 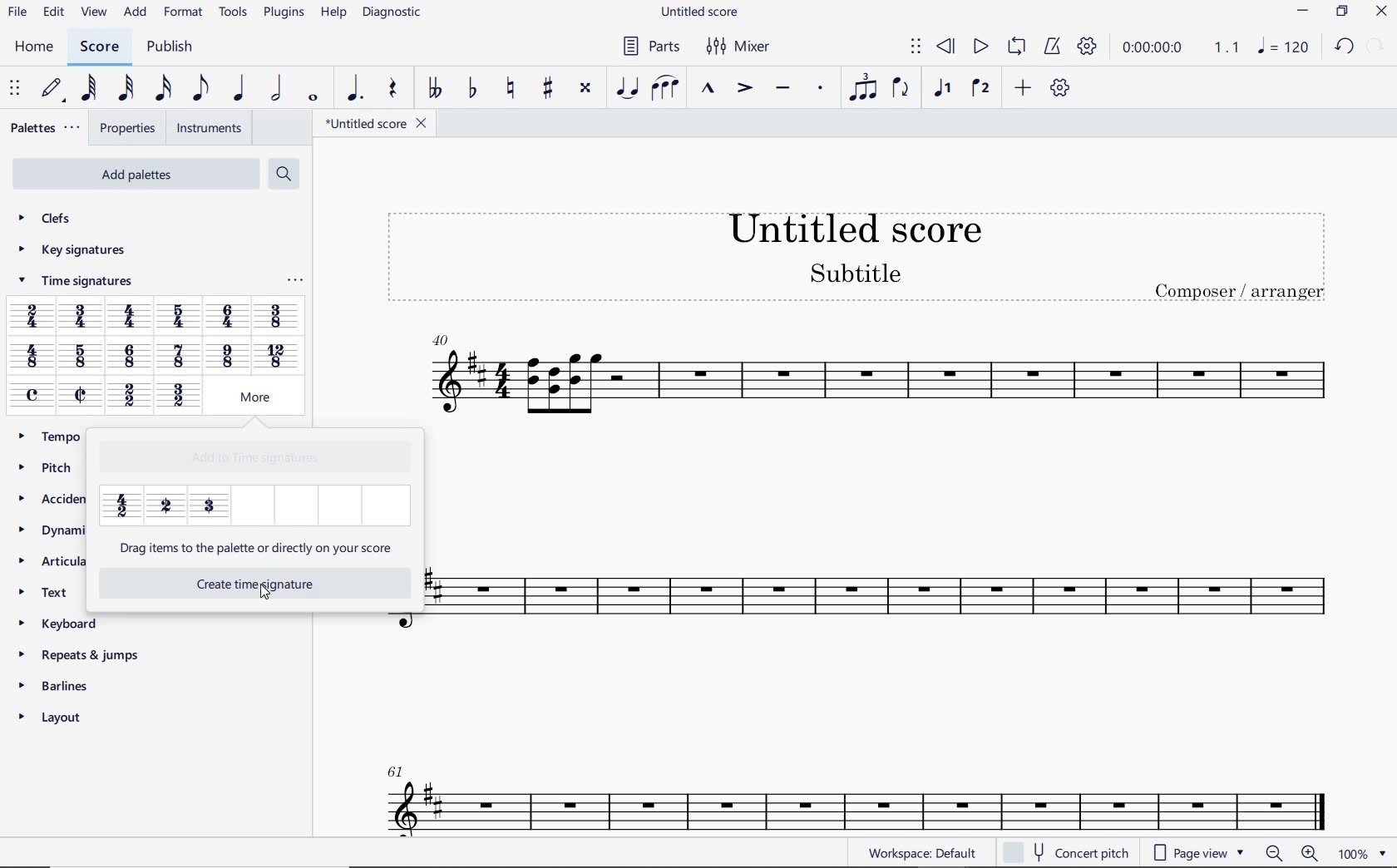 What do you see at coordinates (513, 89) in the screenshot?
I see `TOGGLE NATURAL` at bounding box center [513, 89].